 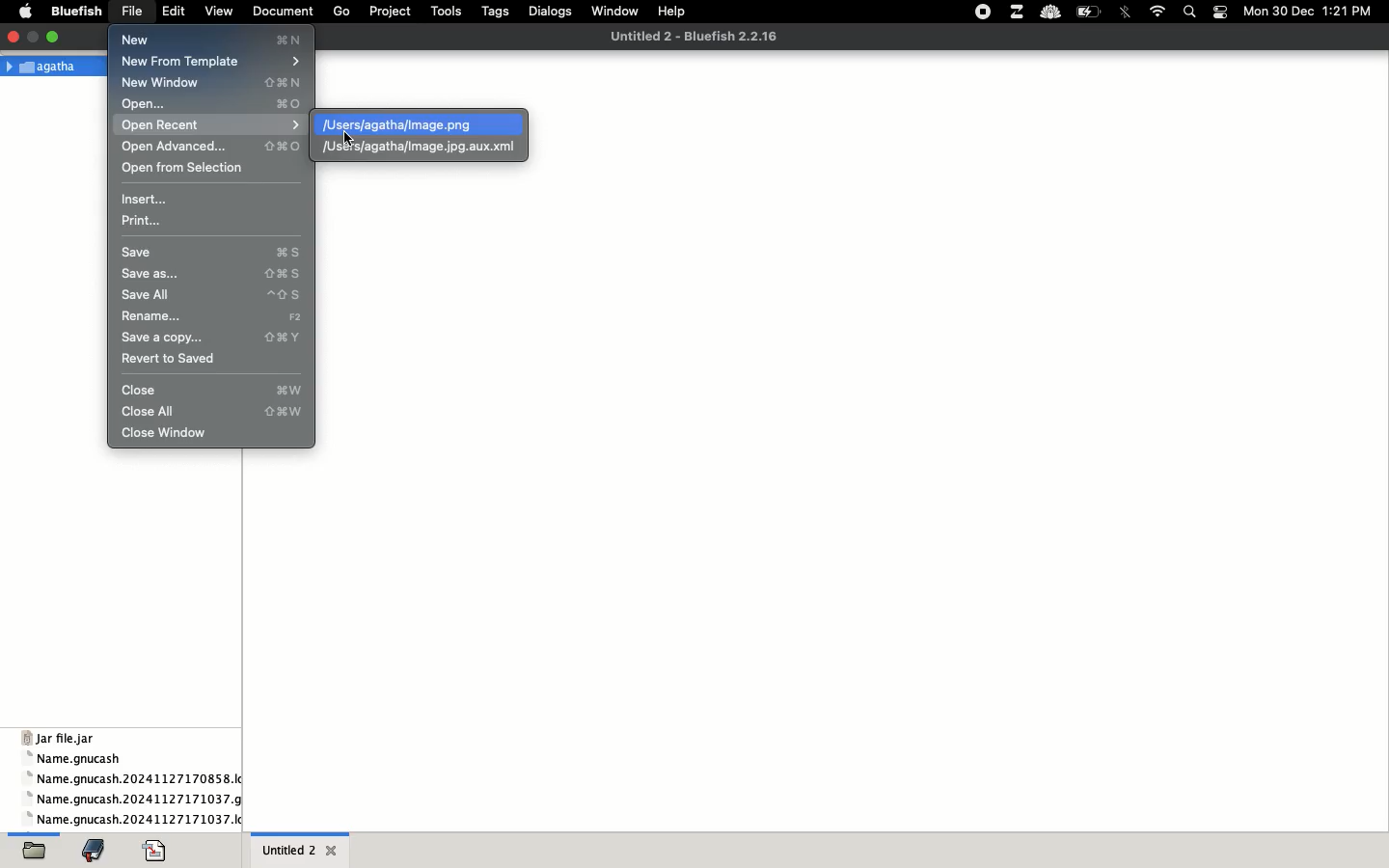 I want to click on open recent, so click(x=213, y=124).